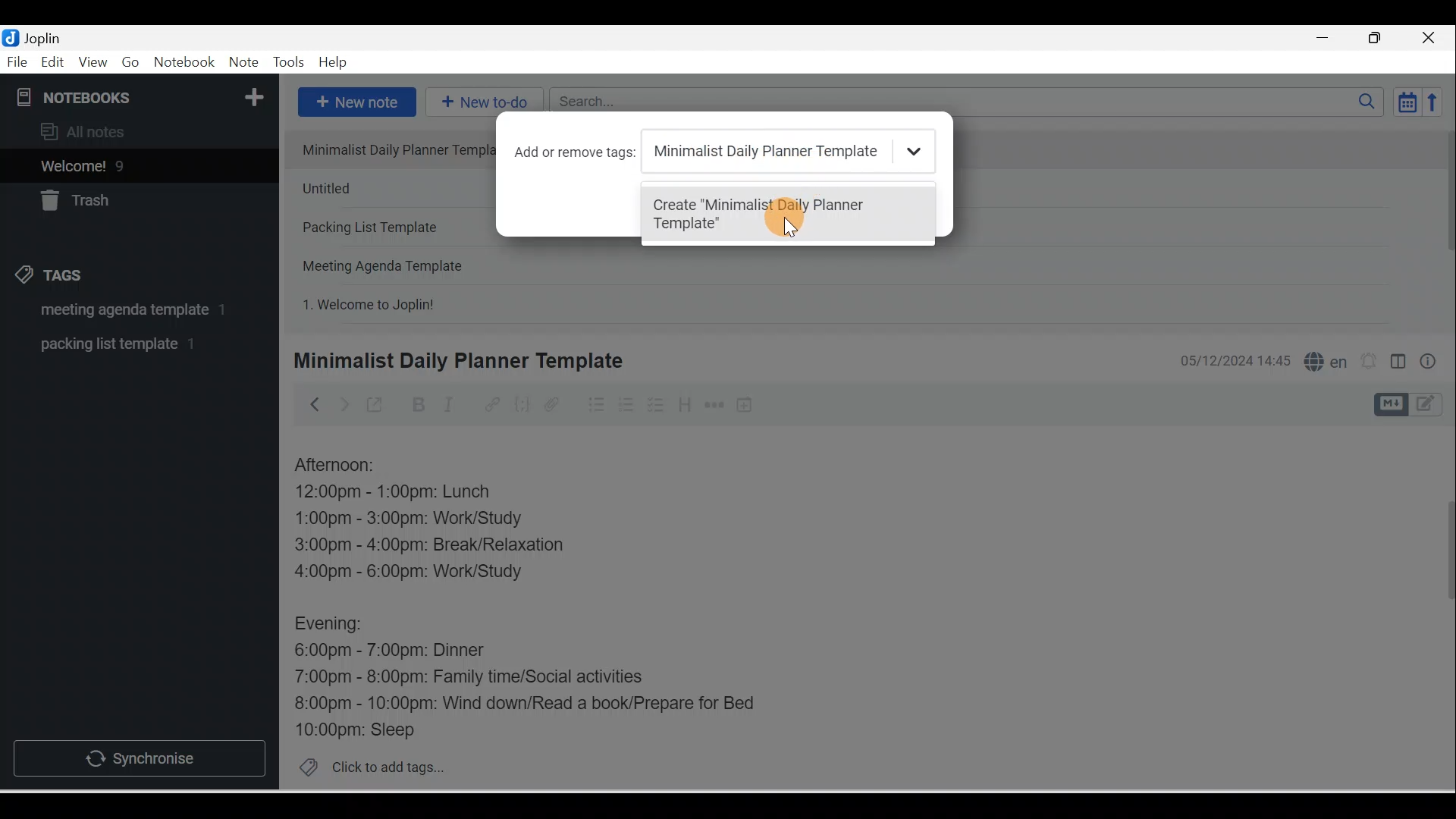 The height and width of the screenshot is (819, 1456). Describe the element at coordinates (54, 63) in the screenshot. I see `Edit` at that location.